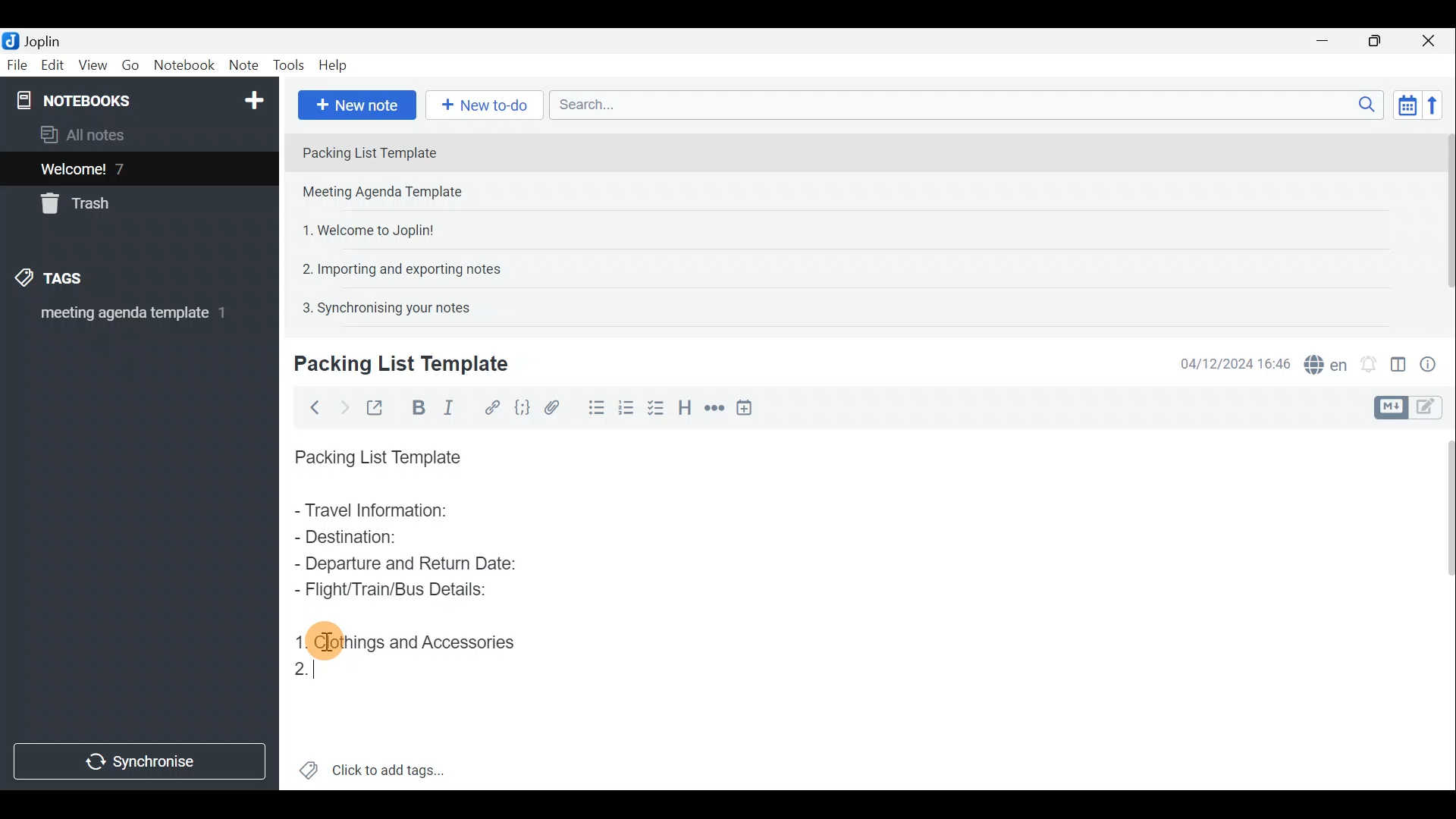  I want to click on Toggle editor layout, so click(1398, 359).